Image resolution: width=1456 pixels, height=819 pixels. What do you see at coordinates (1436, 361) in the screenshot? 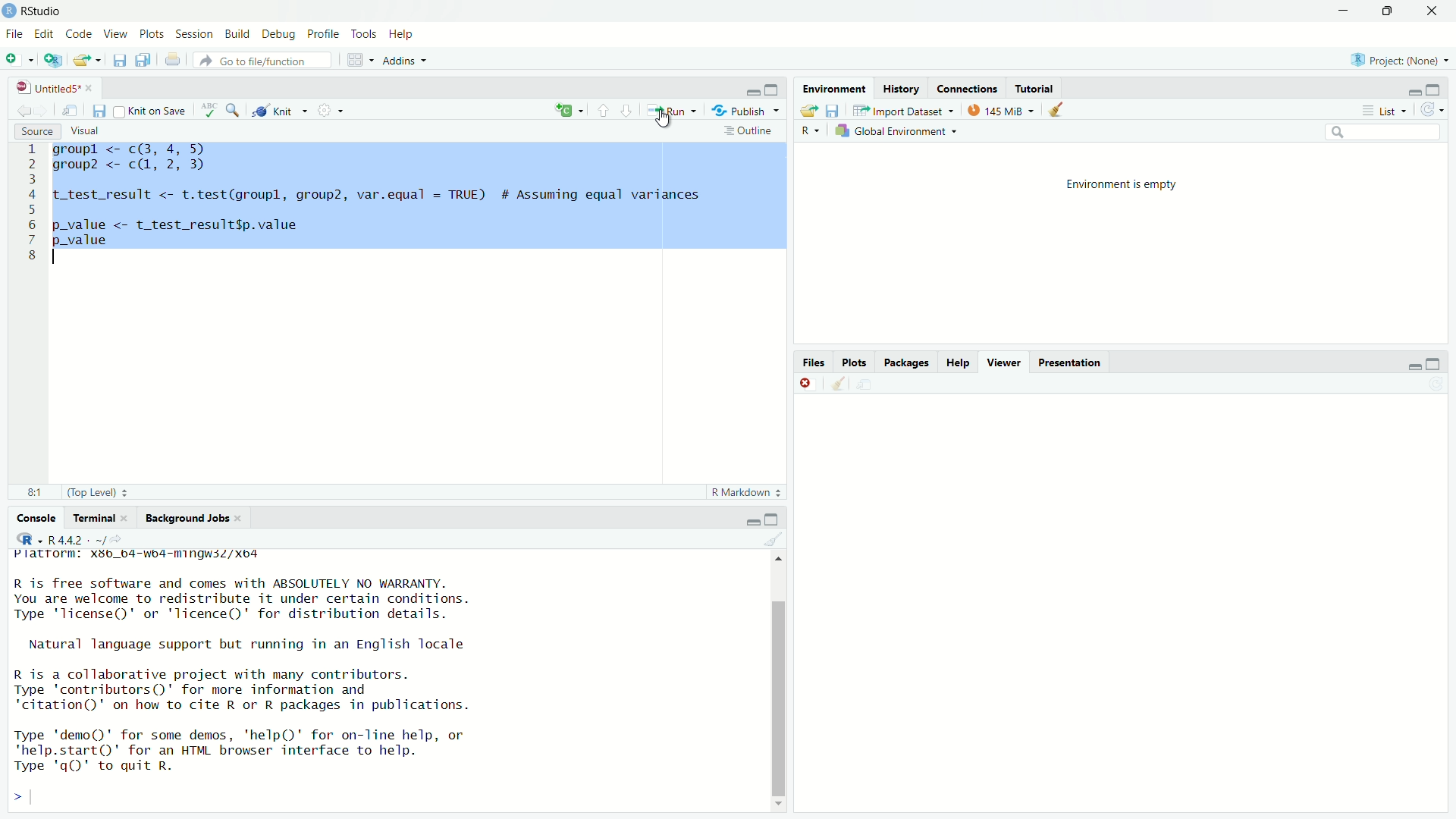
I see `maximise` at bounding box center [1436, 361].